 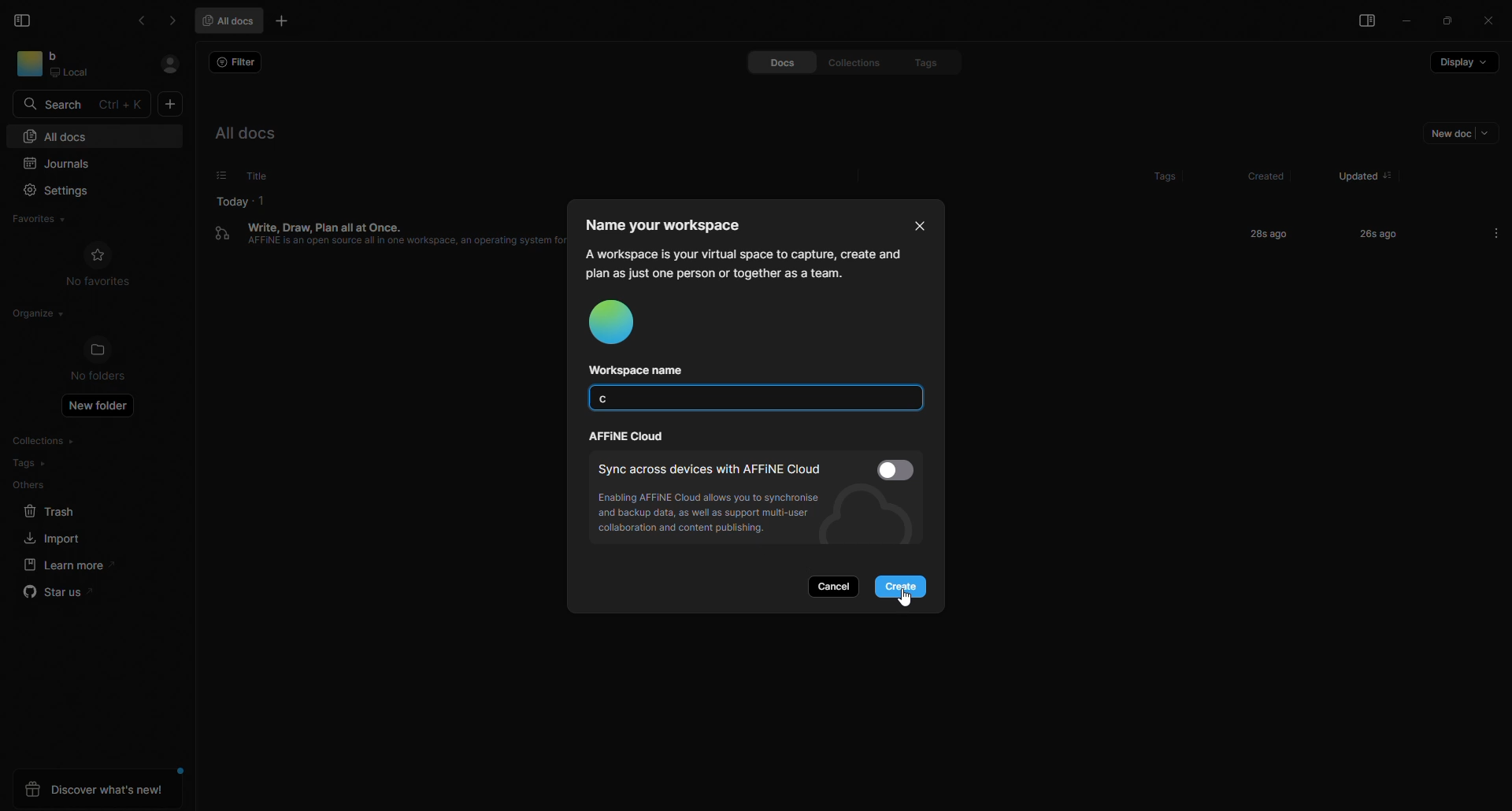 What do you see at coordinates (50, 512) in the screenshot?
I see `trash` at bounding box center [50, 512].